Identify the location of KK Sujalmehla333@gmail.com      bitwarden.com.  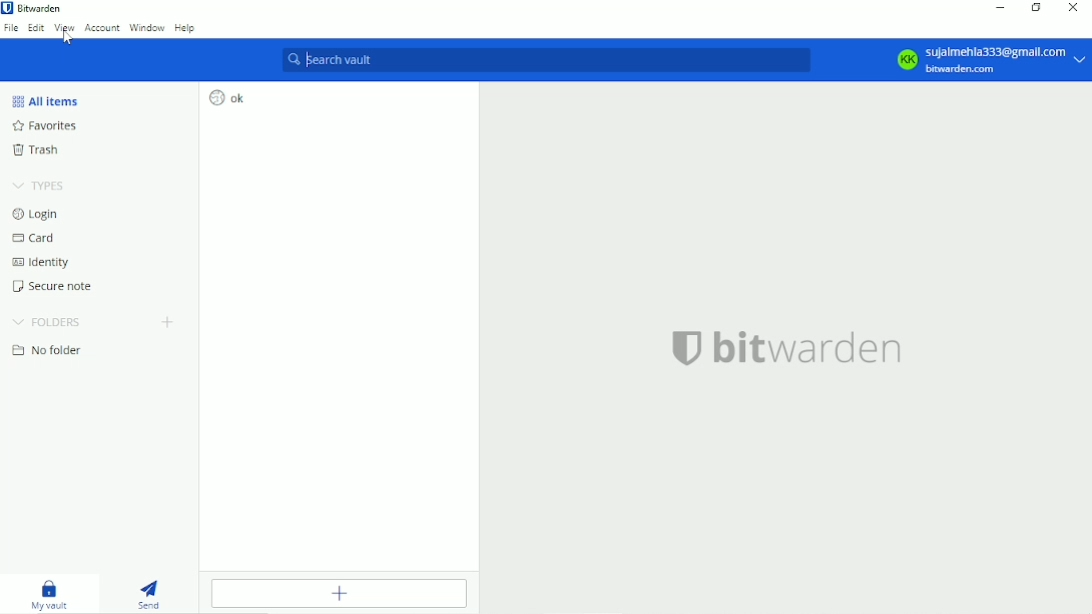
(984, 59).